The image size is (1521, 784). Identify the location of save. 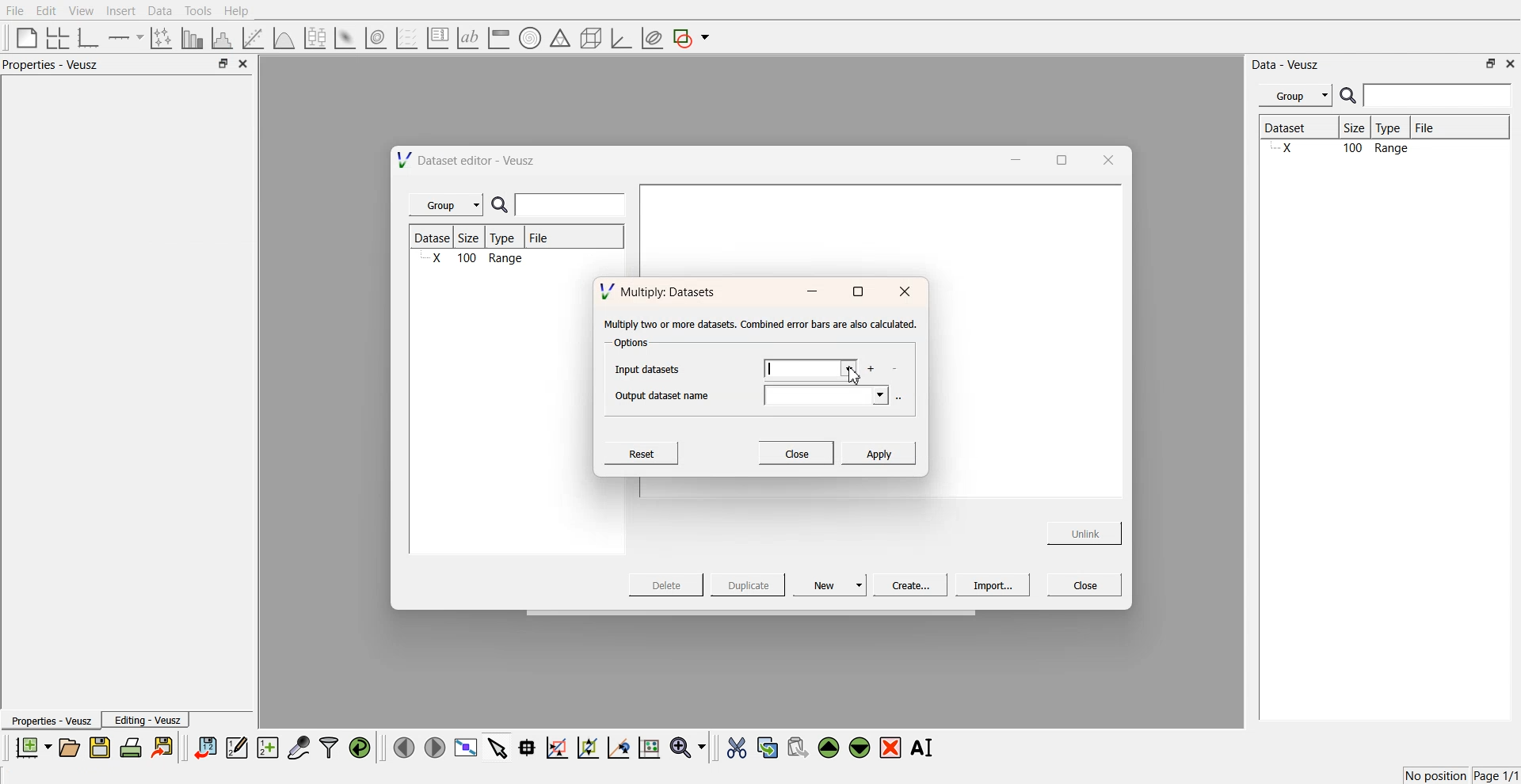
(102, 748).